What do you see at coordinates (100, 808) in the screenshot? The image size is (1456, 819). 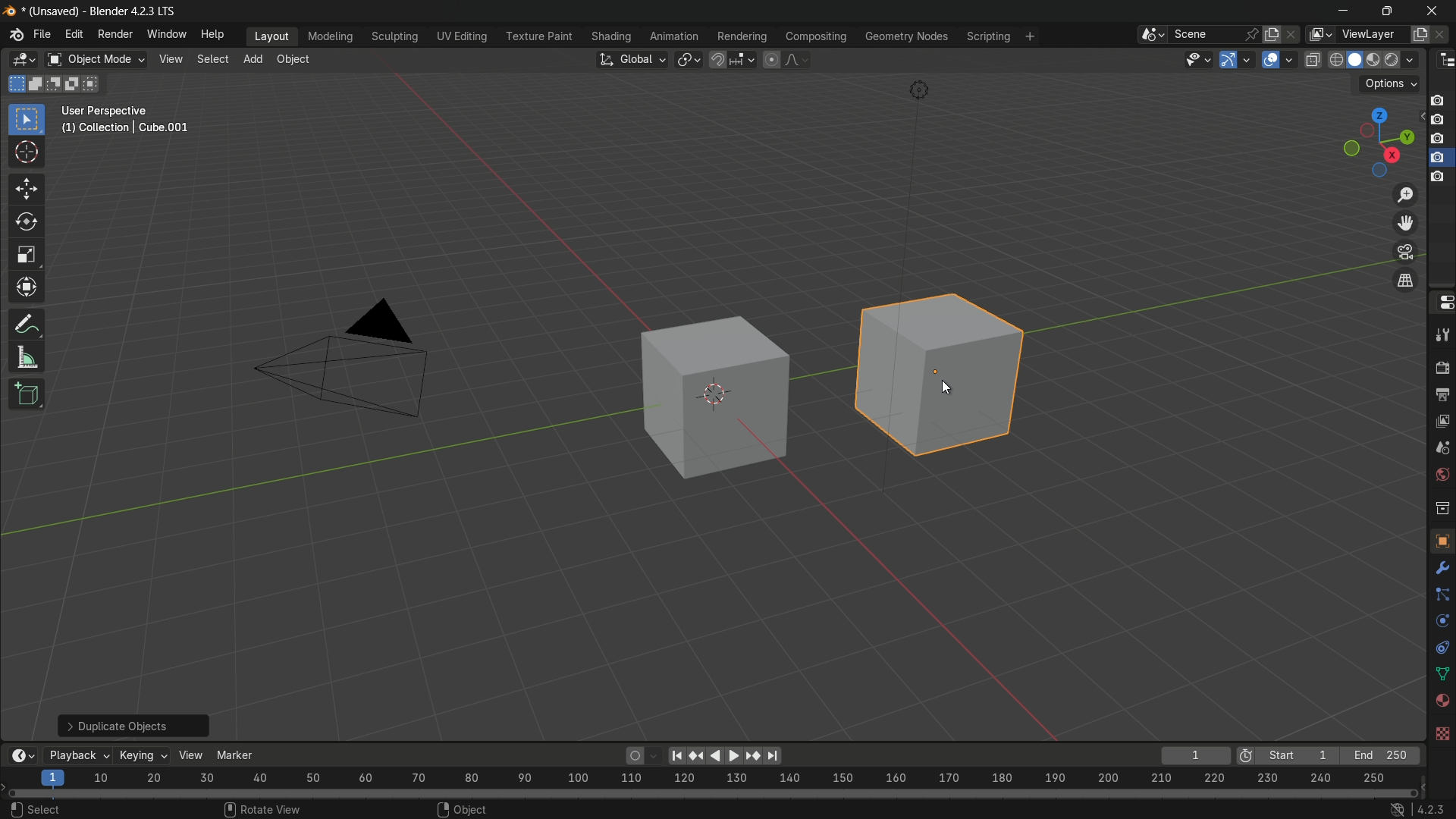 I see `Cancel` at bounding box center [100, 808].